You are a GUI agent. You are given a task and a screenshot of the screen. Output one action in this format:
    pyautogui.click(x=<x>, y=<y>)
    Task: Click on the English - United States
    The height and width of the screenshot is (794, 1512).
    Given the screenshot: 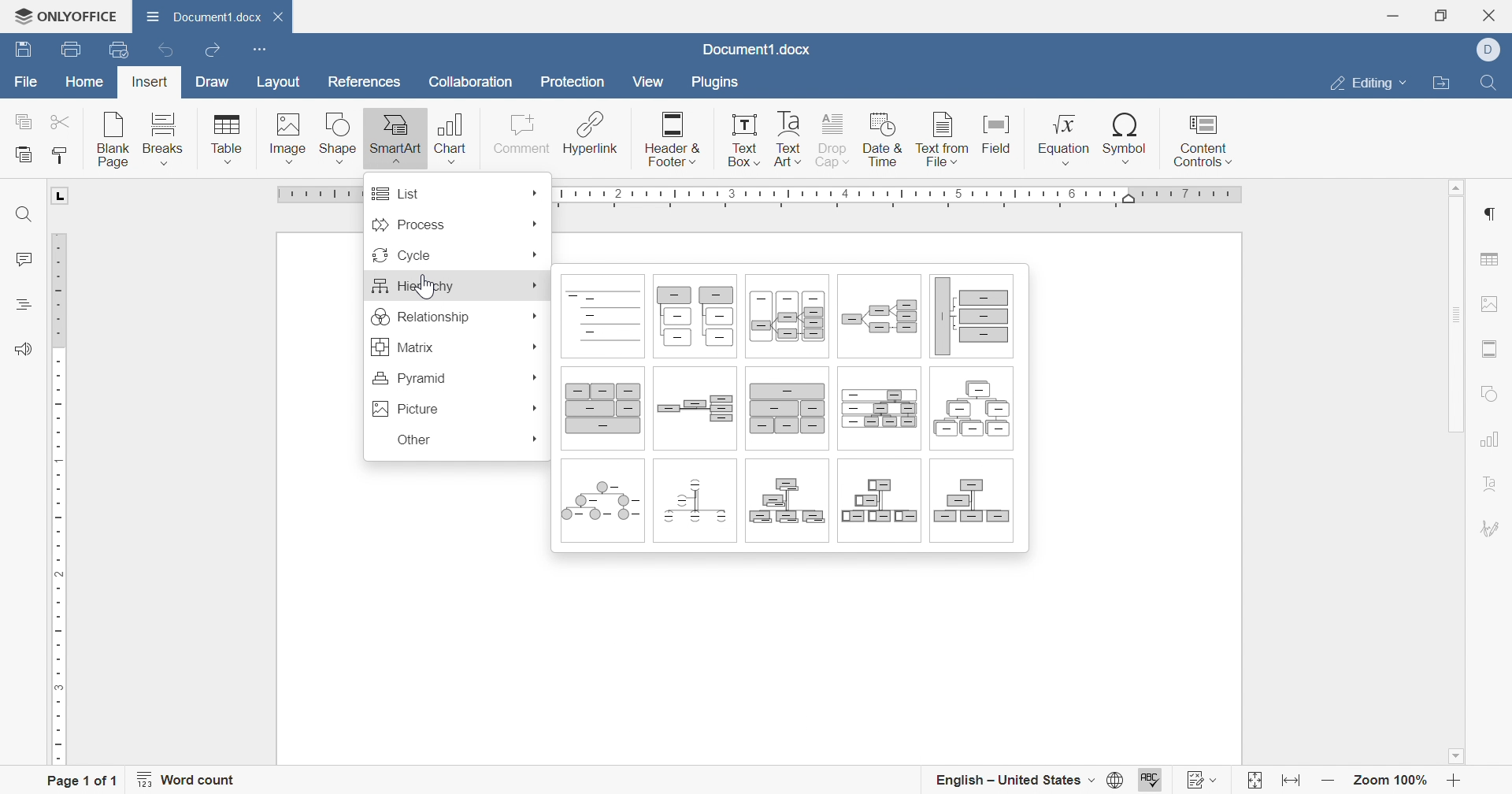 What is the action you would take?
    pyautogui.click(x=1014, y=779)
    